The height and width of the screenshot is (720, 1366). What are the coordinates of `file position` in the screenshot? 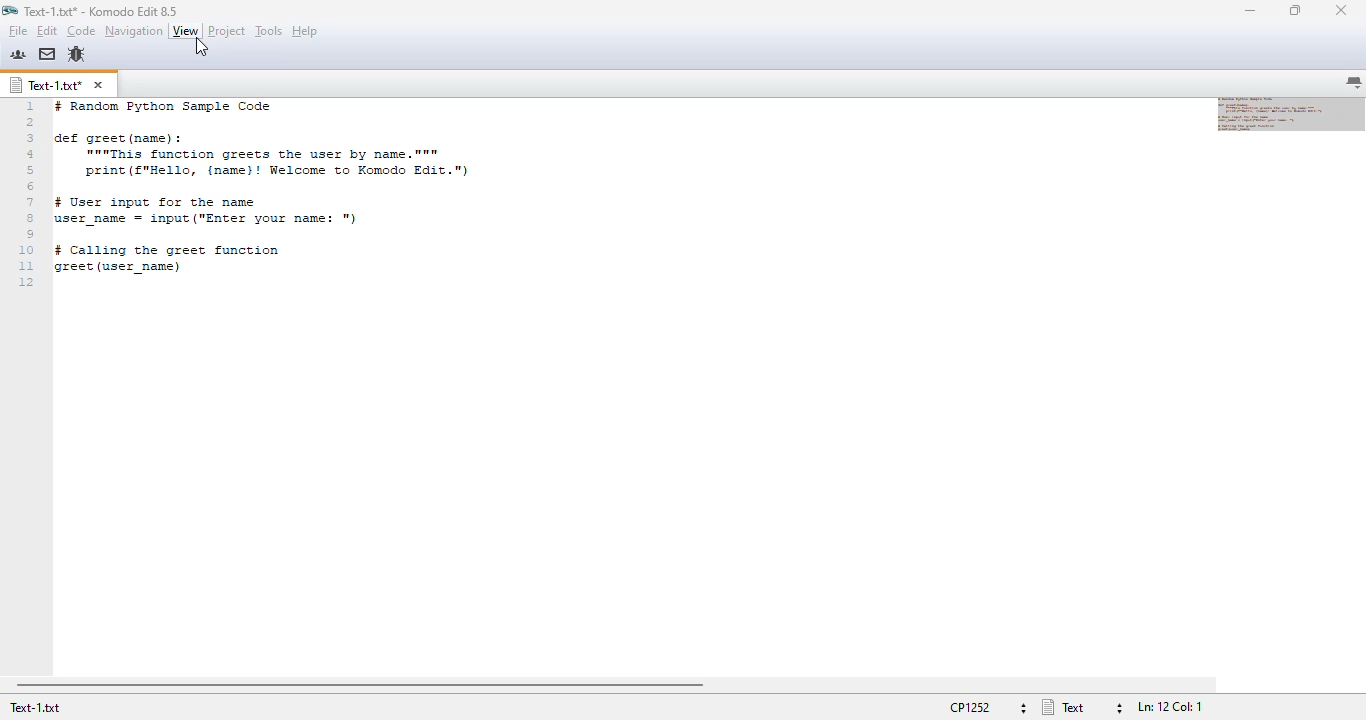 It's located at (1170, 708).